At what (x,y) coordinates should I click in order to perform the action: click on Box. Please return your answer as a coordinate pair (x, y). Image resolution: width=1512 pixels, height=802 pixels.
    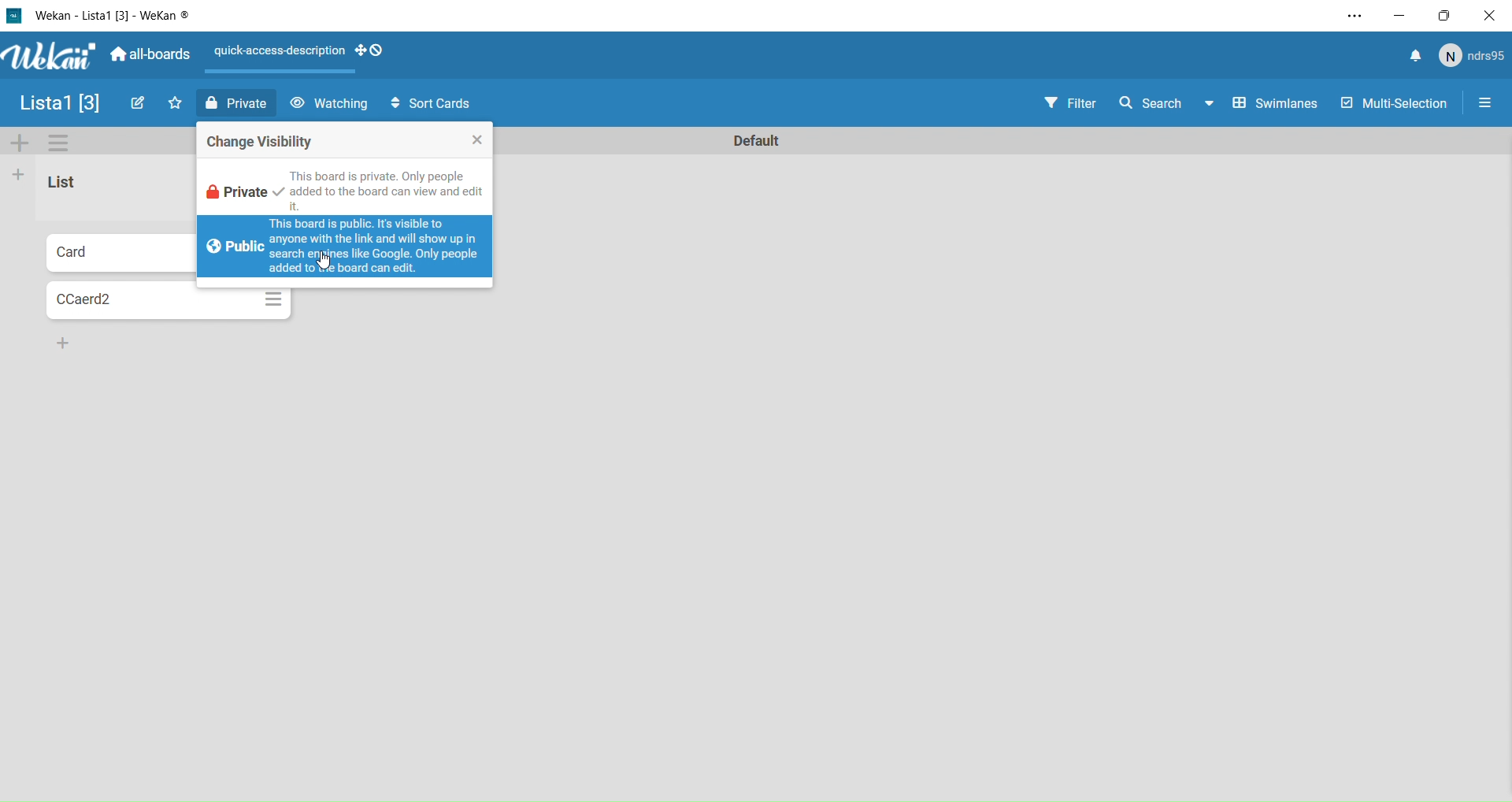
    Looking at the image, I should click on (1442, 13).